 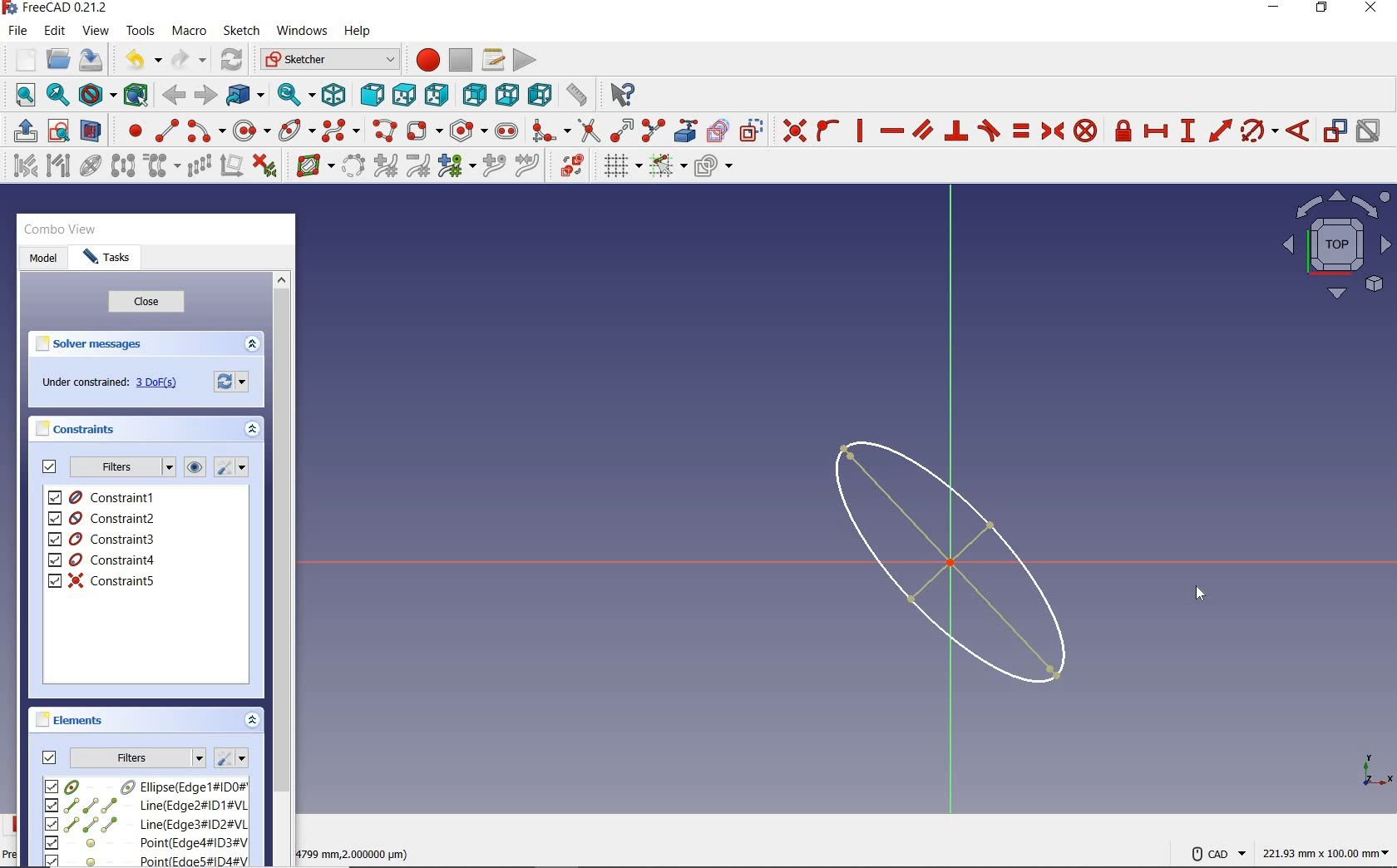 What do you see at coordinates (417, 165) in the screenshot?
I see `decrease B-Spline degree` at bounding box center [417, 165].